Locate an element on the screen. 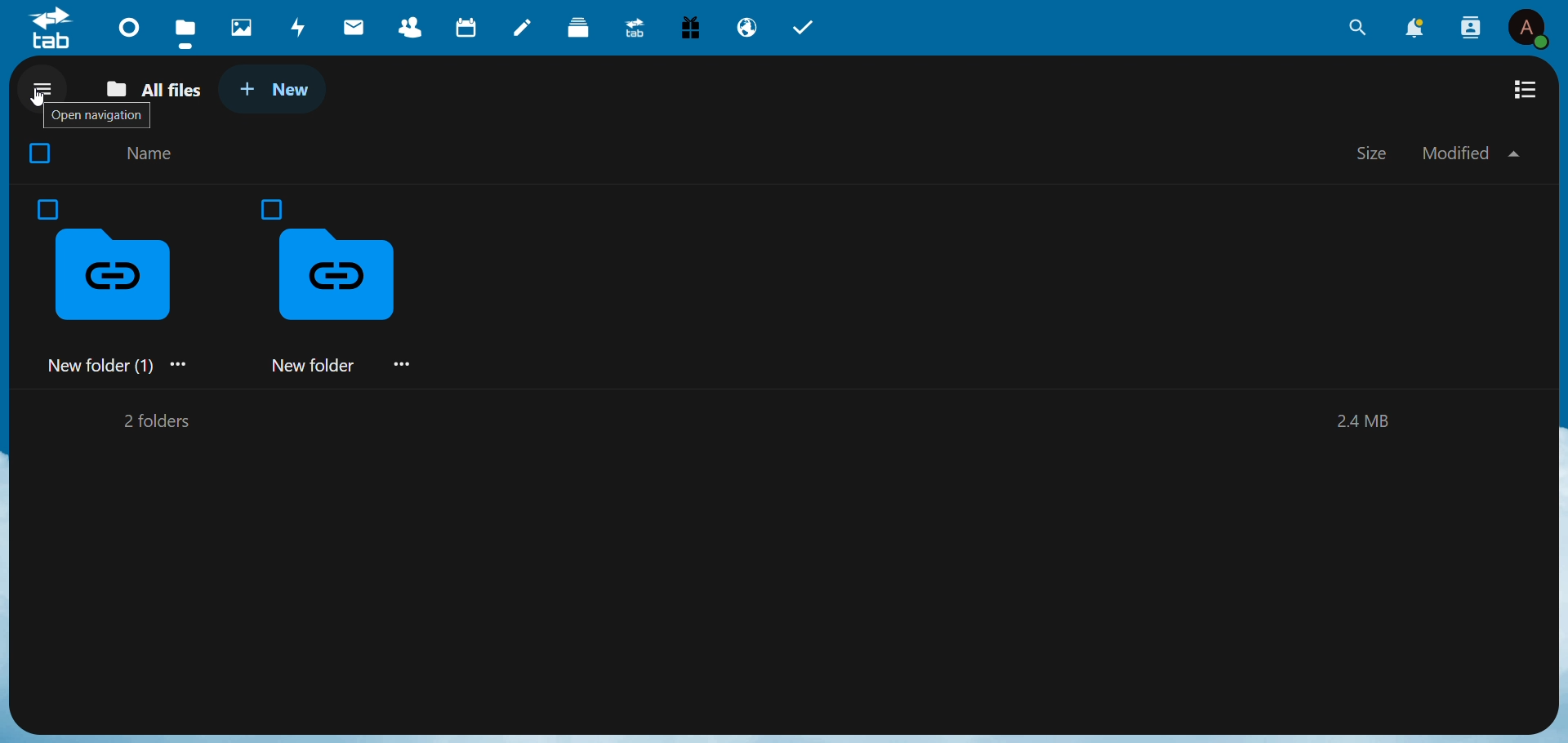 The image size is (1568, 743). actiivity is located at coordinates (300, 26).